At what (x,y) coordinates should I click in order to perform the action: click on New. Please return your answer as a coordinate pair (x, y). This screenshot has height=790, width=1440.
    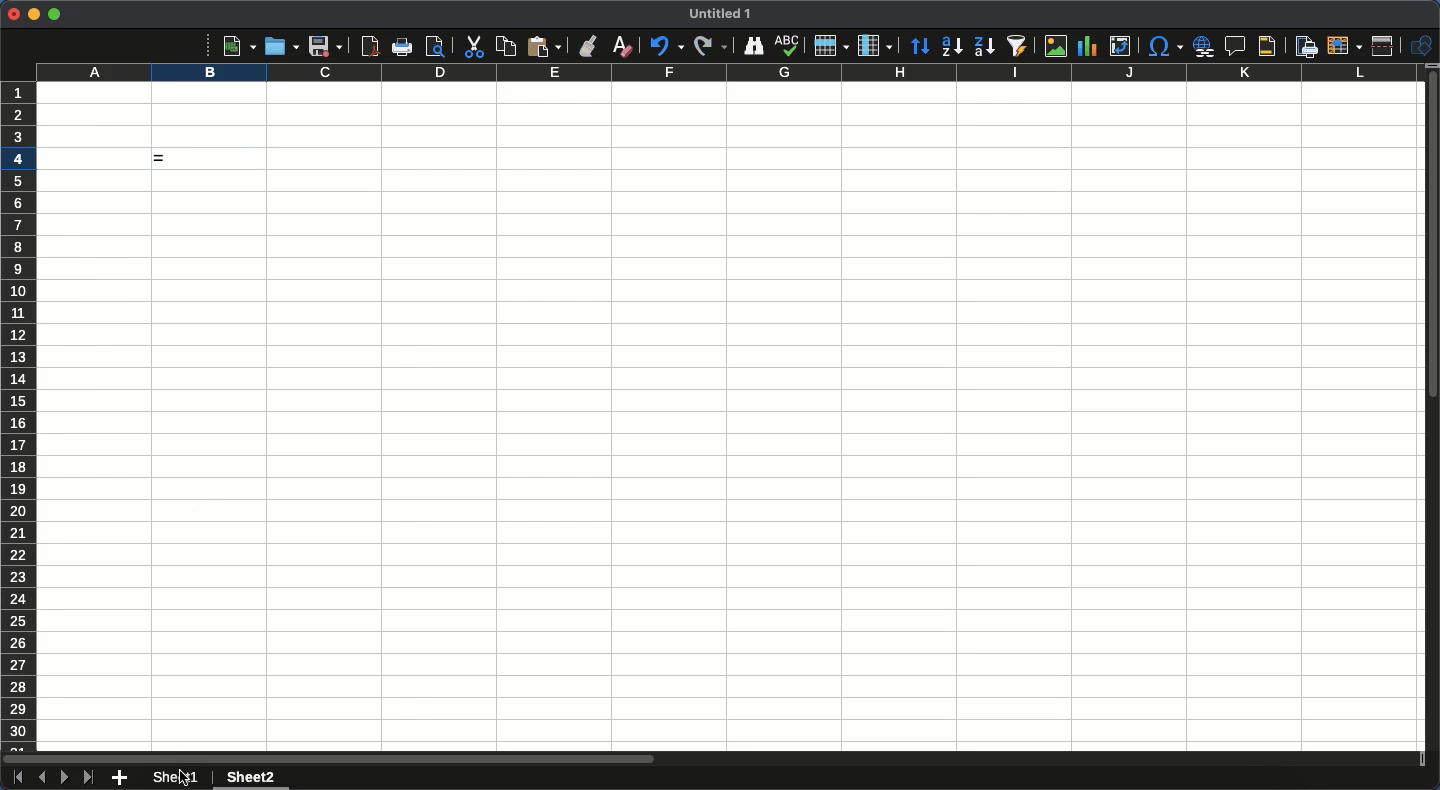
    Looking at the image, I should click on (239, 45).